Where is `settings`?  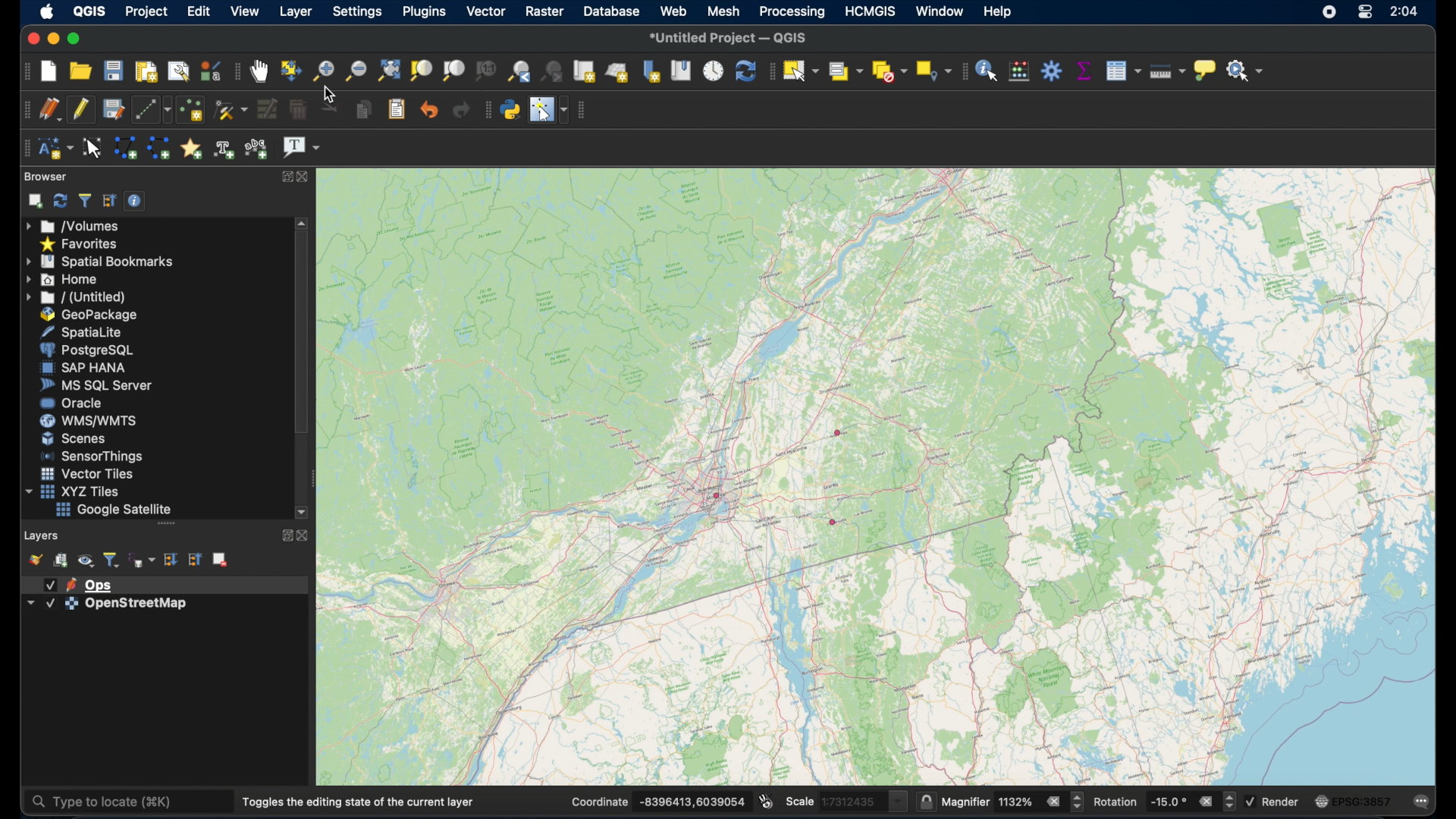
settings is located at coordinates (359, 13).